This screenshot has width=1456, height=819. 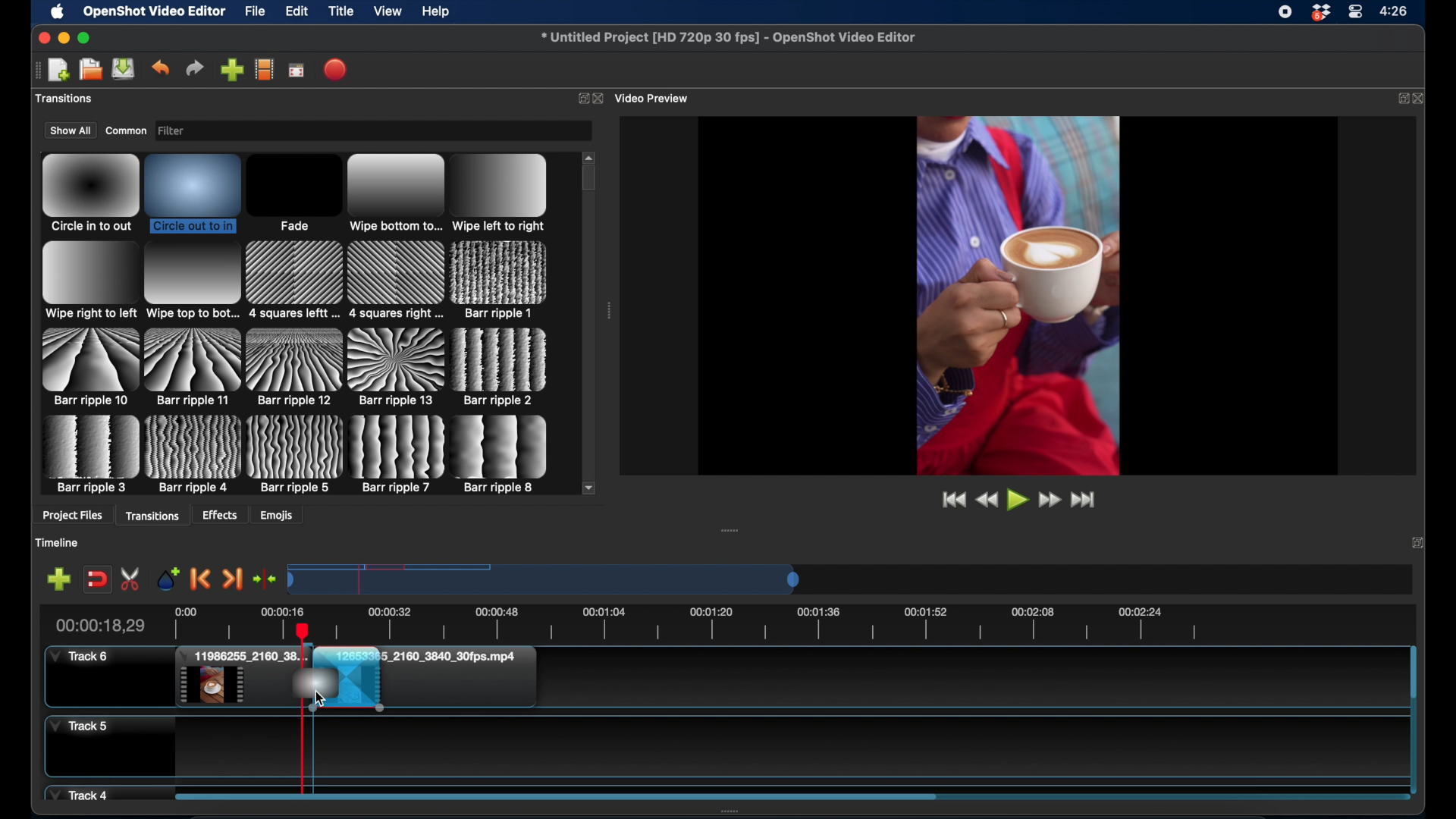 I want to click on transition, so click(x=194, y=454).